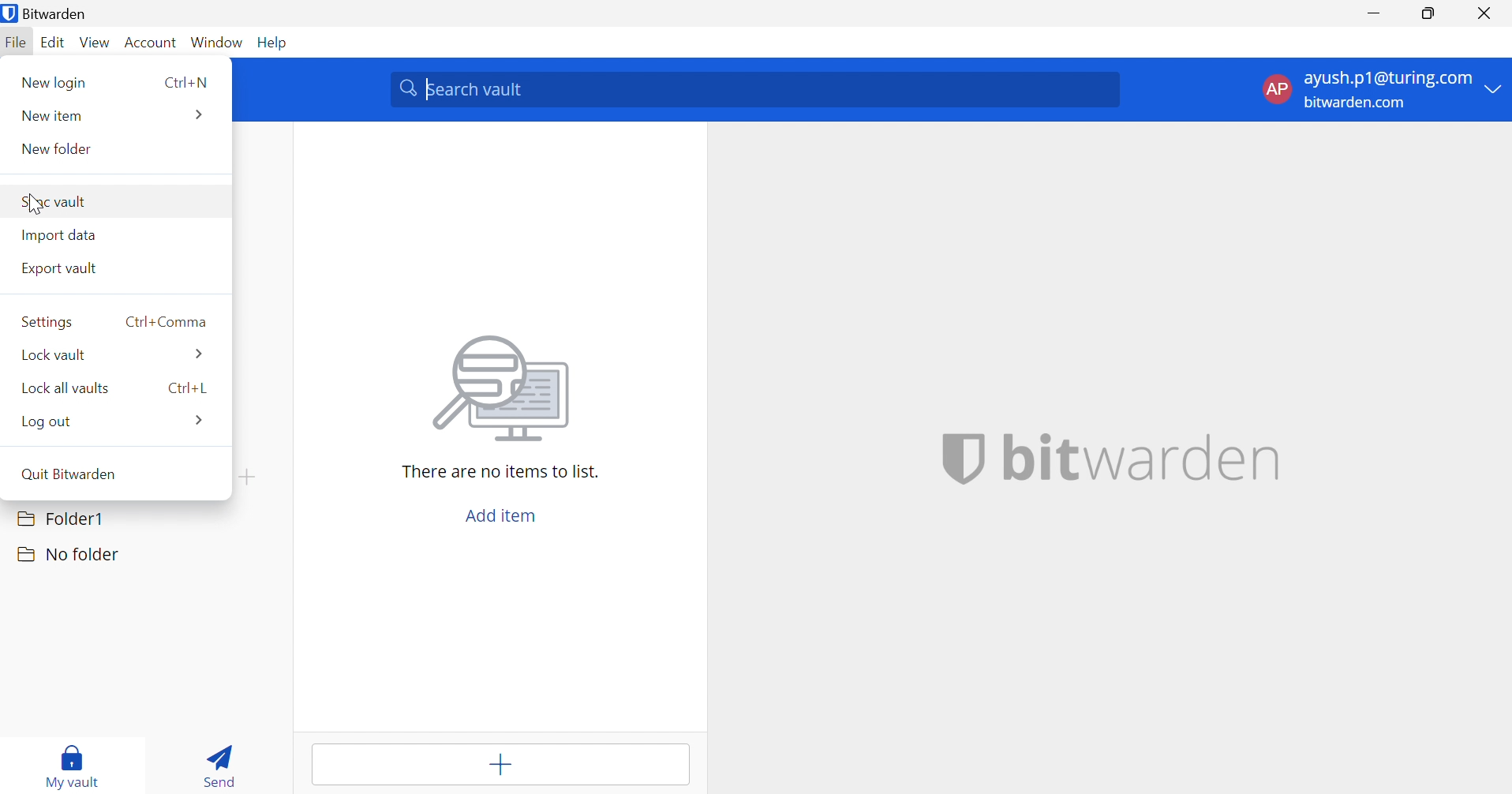 This screenshot has height=794, width=1512. I want to click on Window, so click(217, 42).